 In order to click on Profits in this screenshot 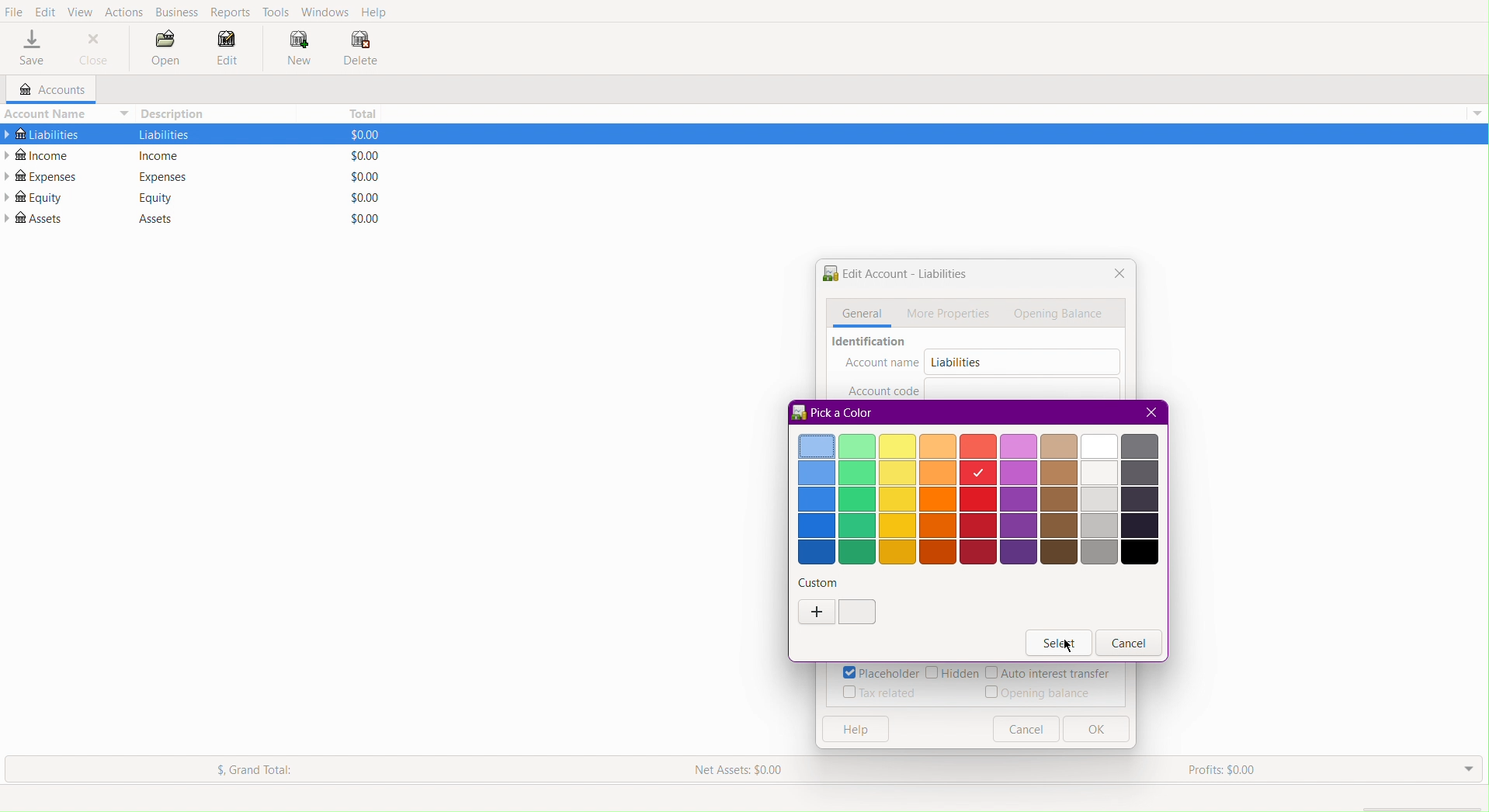, I will do `click(1221, 771)`.